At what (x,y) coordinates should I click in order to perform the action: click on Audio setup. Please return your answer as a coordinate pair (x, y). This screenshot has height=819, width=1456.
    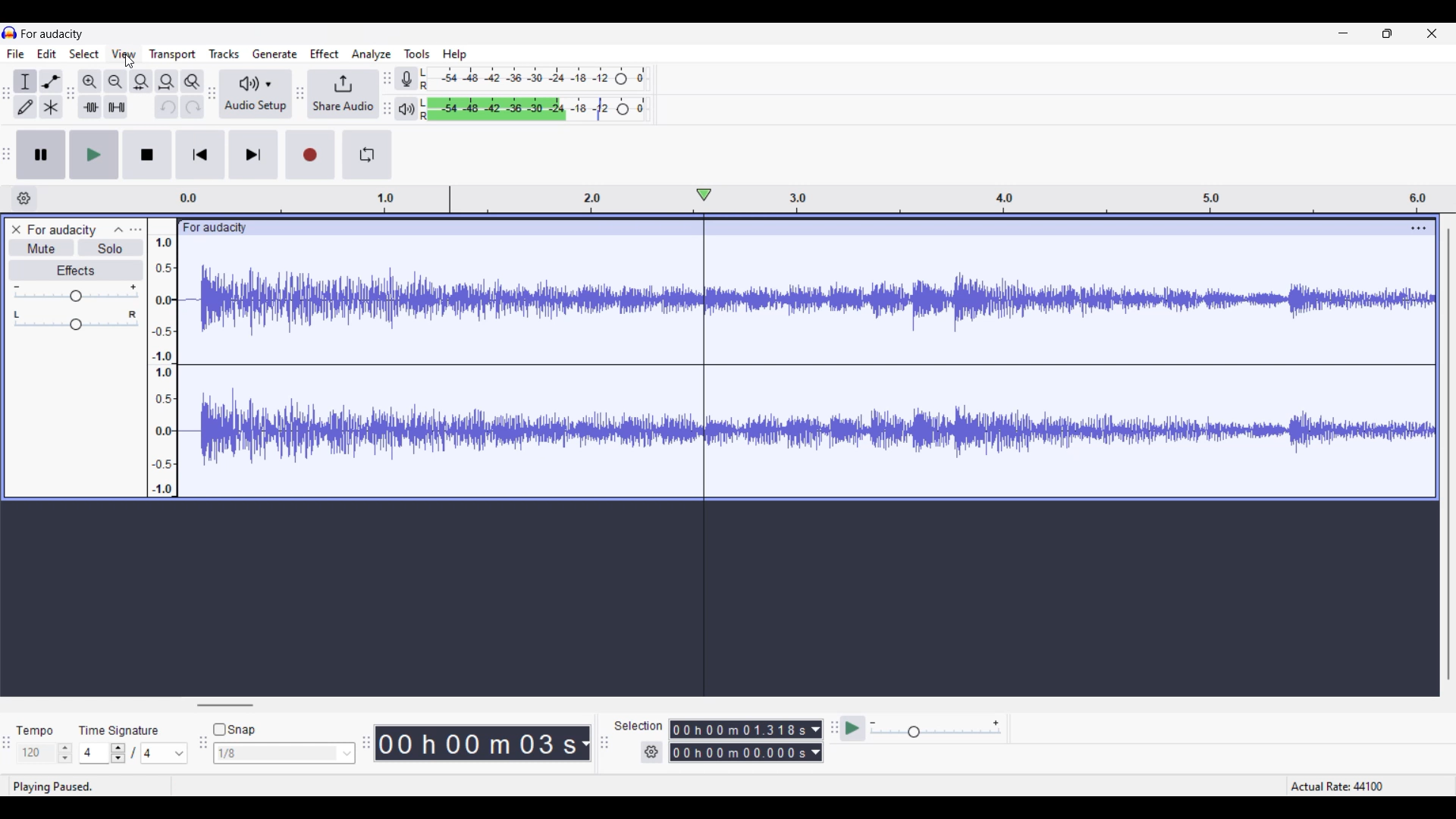
    Looking at the image, I should click on (256, 93).